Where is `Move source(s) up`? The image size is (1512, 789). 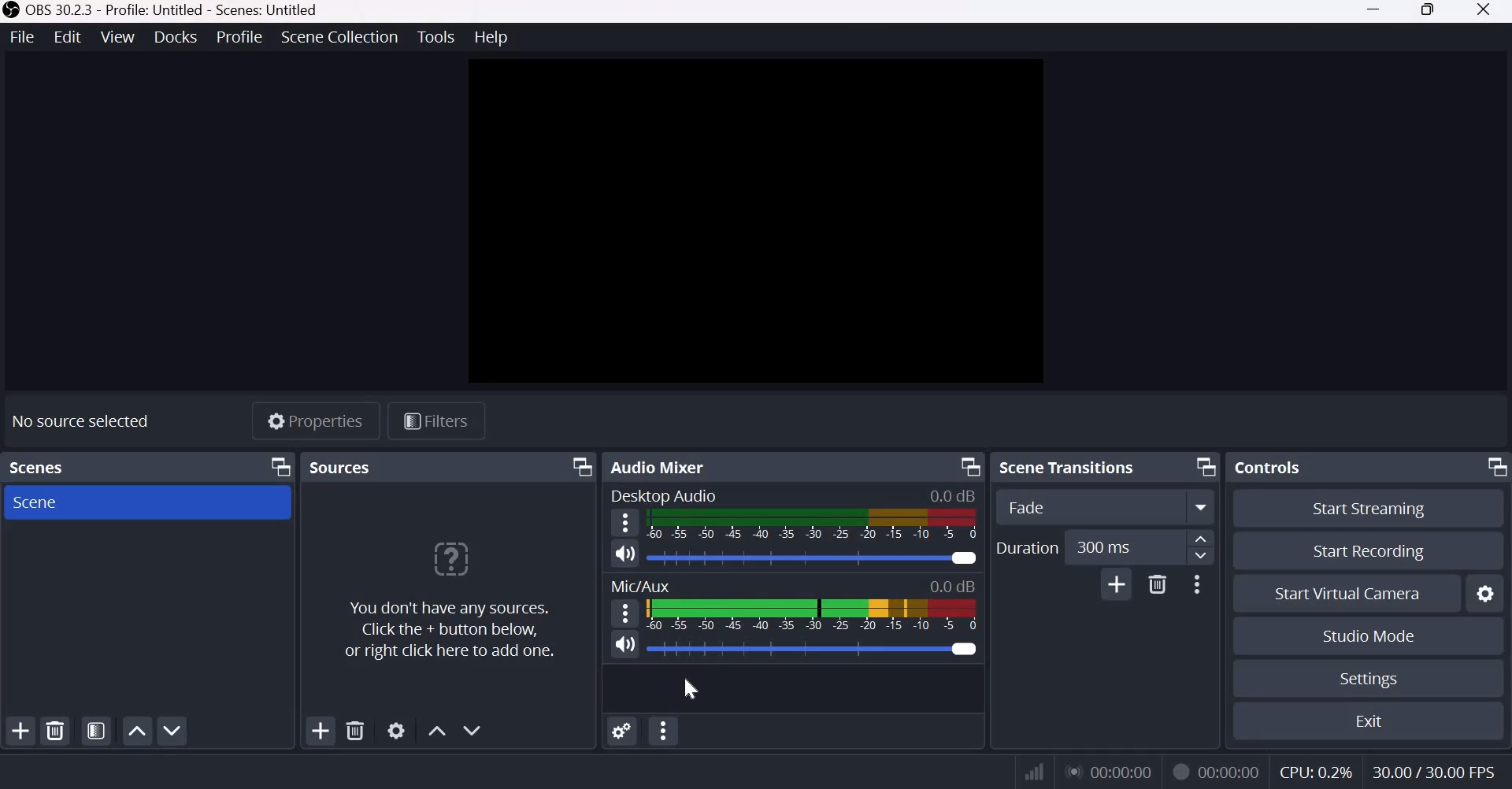
Move source(s) up is located at coordinates (435, 730).